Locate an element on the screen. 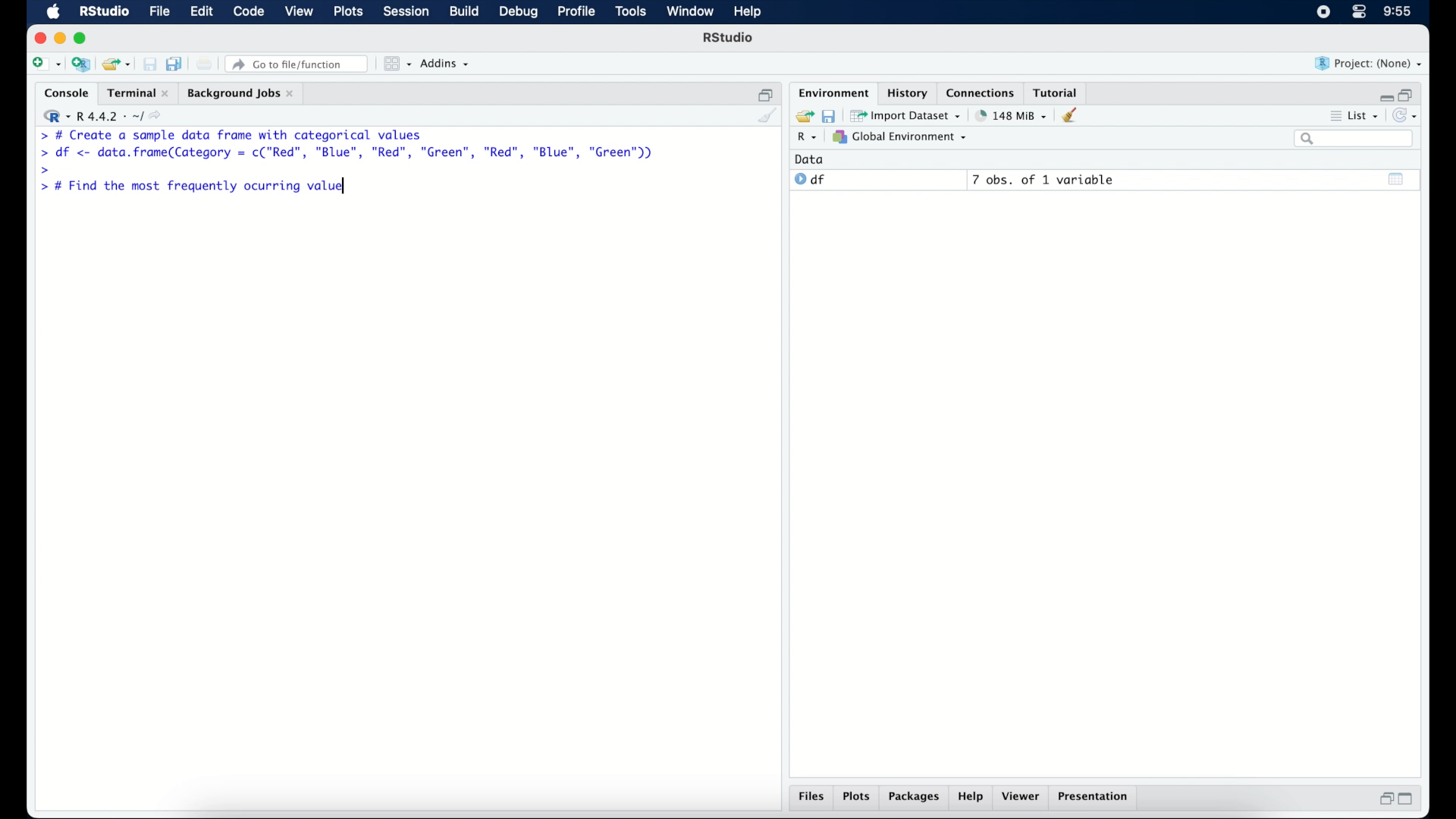  tutorial is located at coordinates (1059, 92).